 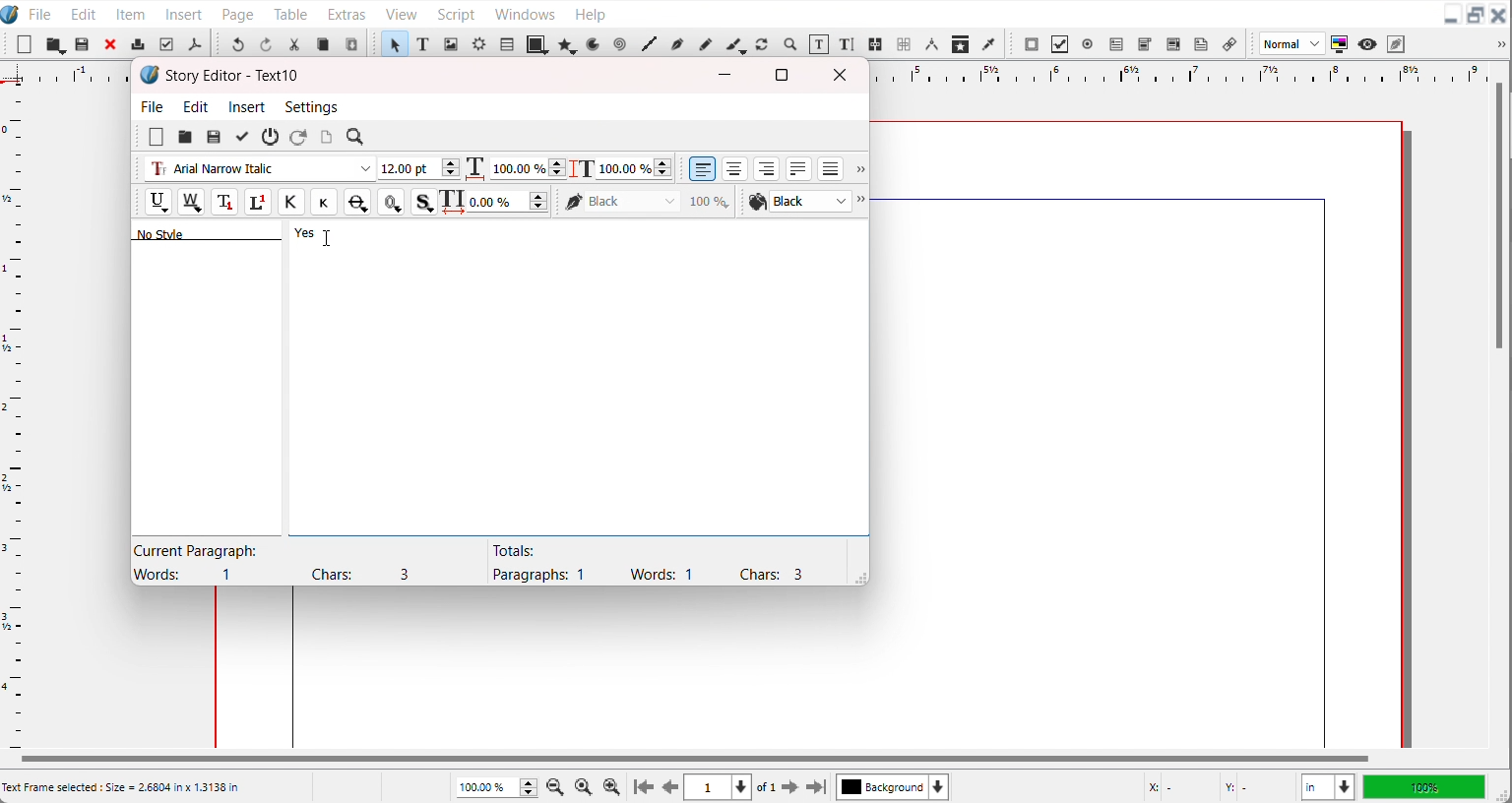 What do you see at coordinates (612, 786) in the screenshot?
I see `Zoom In` at bounding box center [612, 786].